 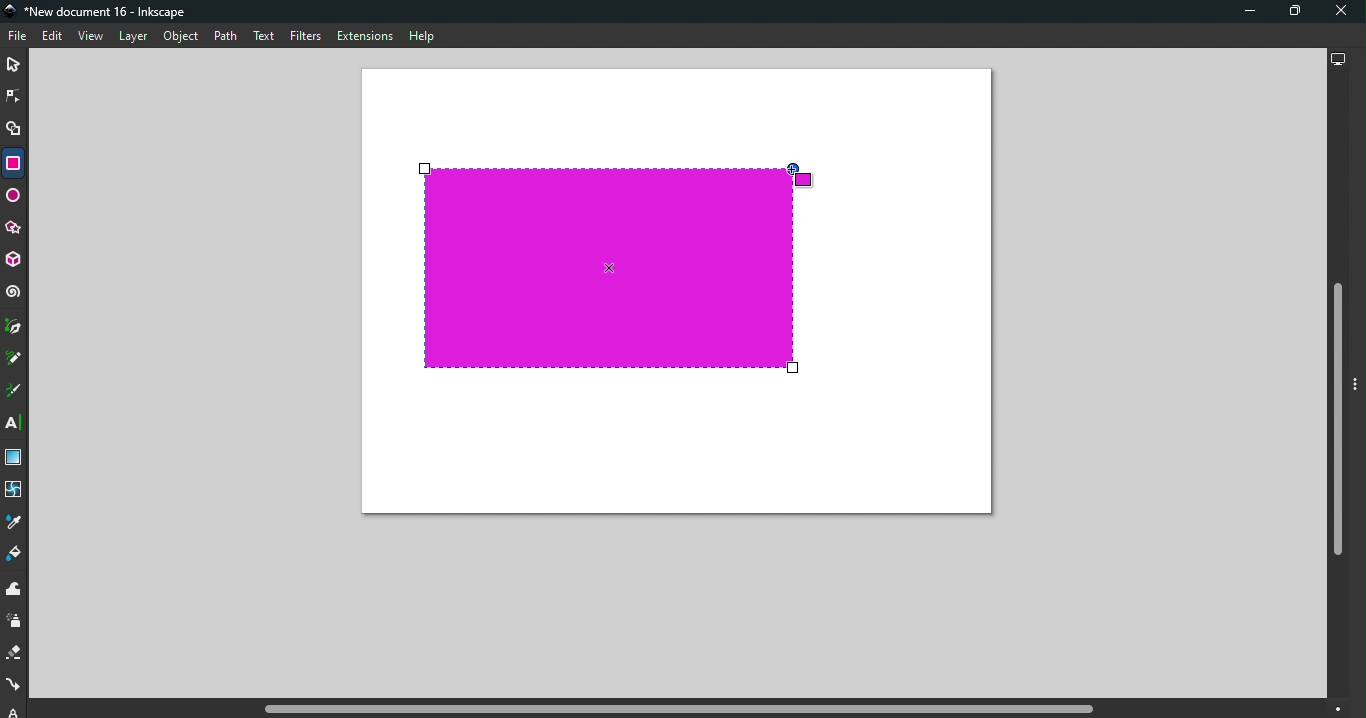 I want to click on Close, so click(x=1341, y=12).